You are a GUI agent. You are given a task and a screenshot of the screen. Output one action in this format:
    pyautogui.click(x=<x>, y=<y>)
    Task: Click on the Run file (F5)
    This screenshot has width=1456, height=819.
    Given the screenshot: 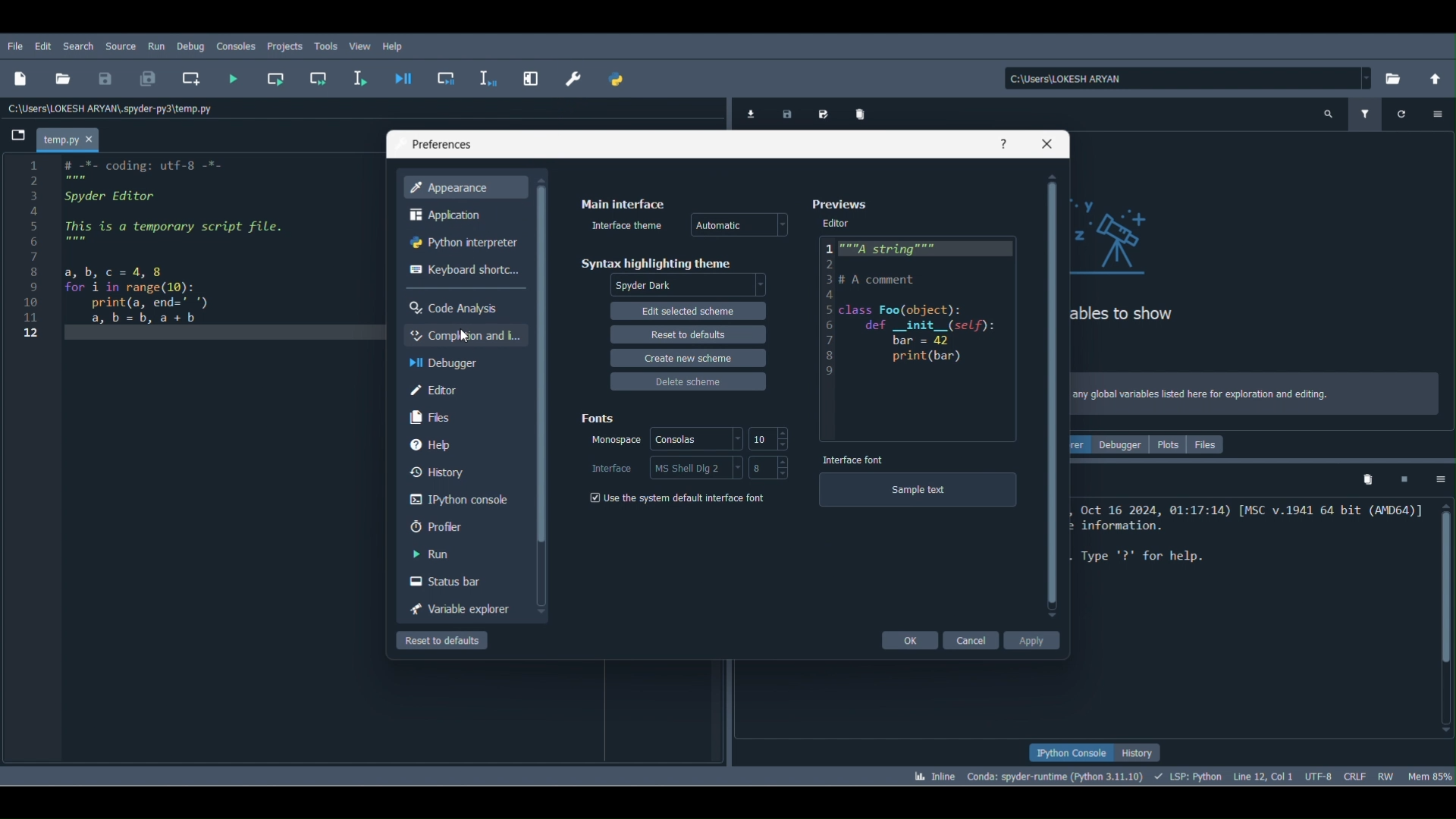 What is the action you would take?
    pyautogui.click(x=235, y=78)
    